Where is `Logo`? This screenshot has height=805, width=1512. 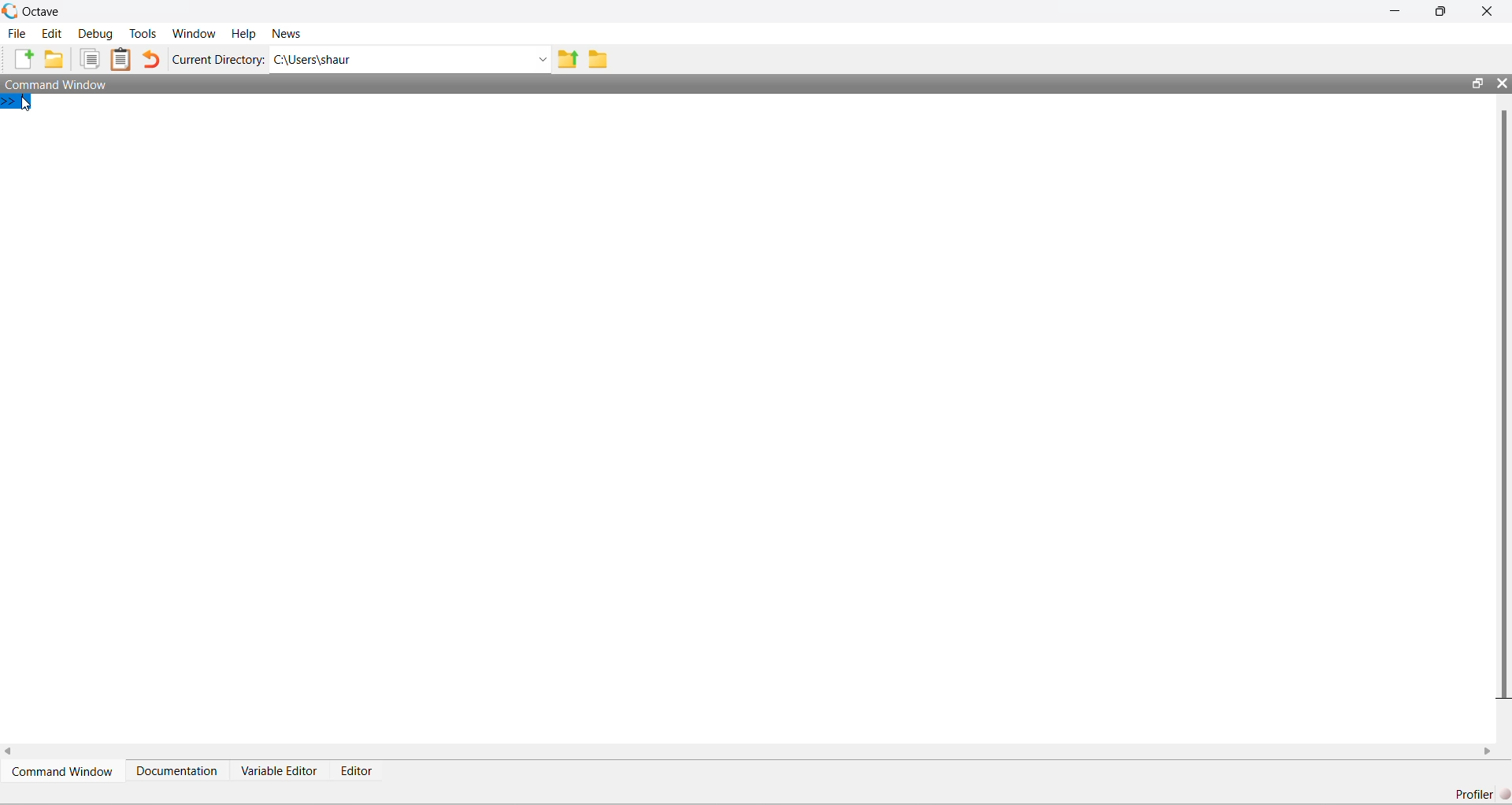 Logo is located at coordinates (10, 10).